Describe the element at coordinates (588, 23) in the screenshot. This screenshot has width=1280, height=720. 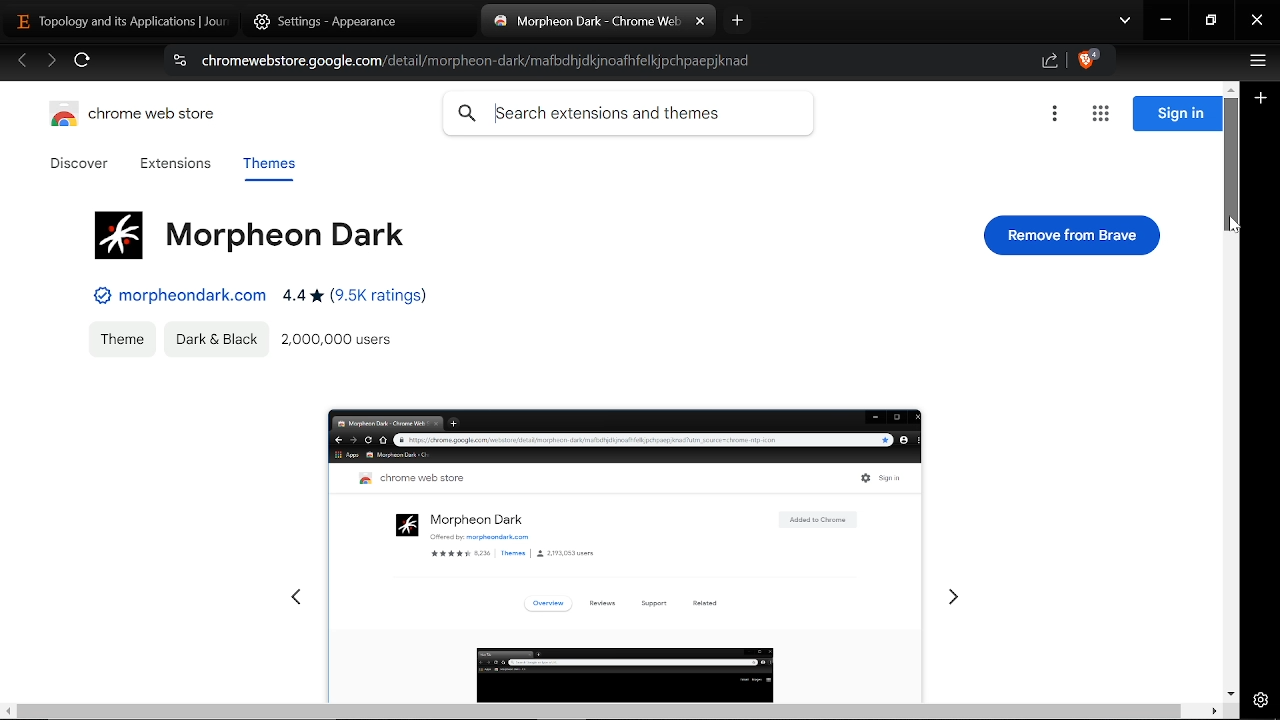
I see `Current tab` at that location.